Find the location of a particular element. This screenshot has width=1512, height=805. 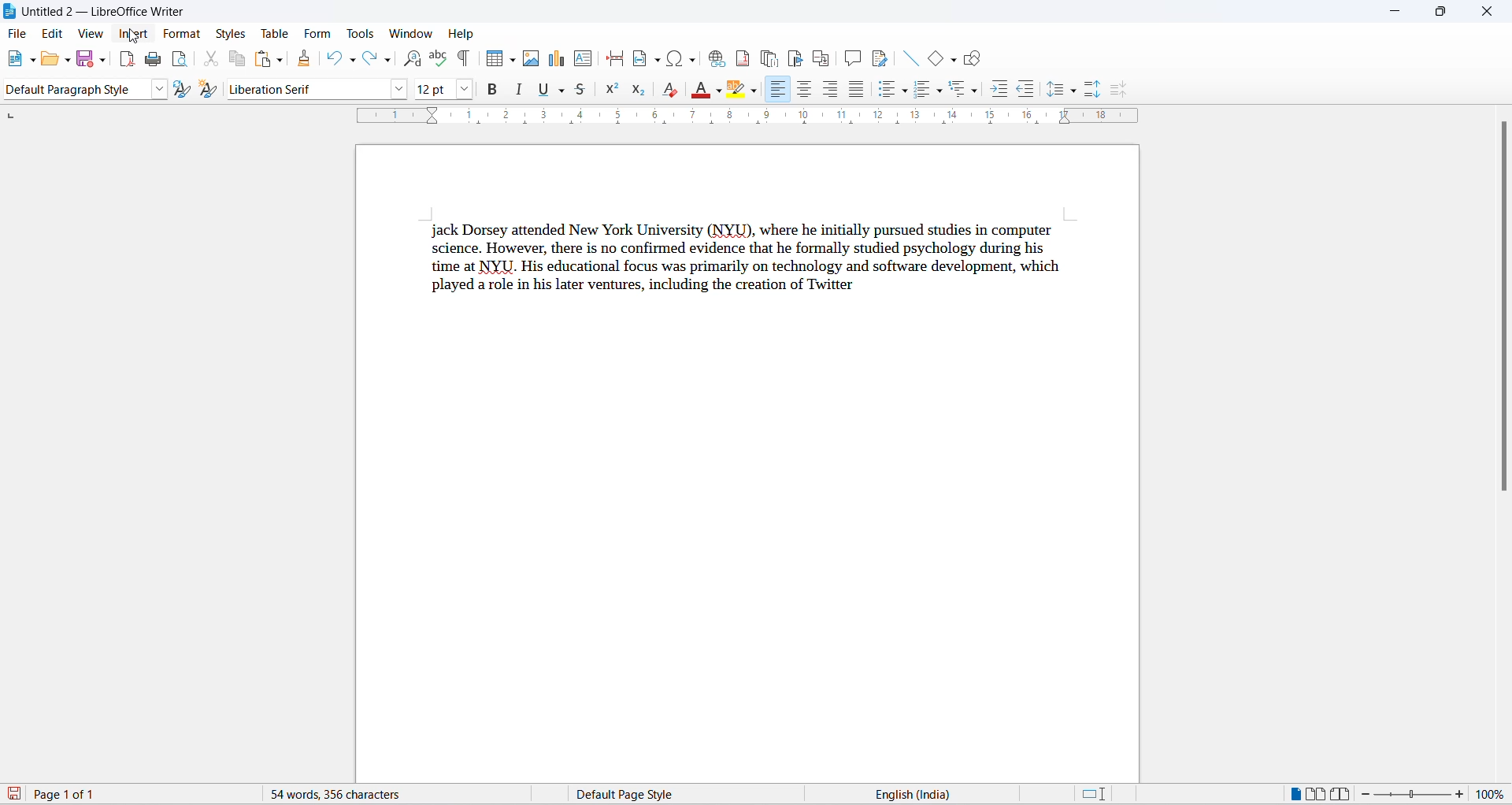

form is located at coordinates (319, 33).